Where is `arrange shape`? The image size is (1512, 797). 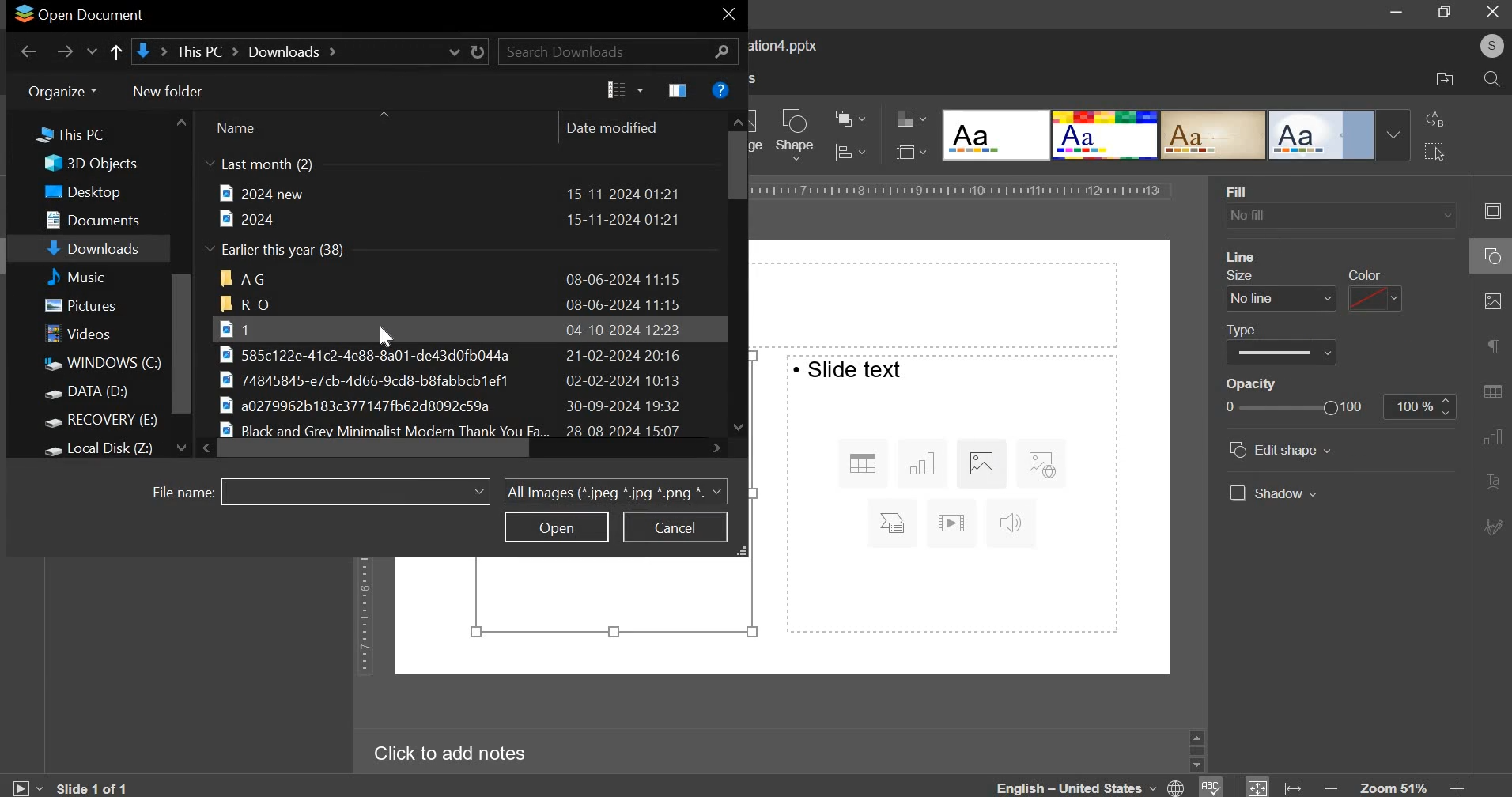 arrange shape is located at coordinates (849, 120).